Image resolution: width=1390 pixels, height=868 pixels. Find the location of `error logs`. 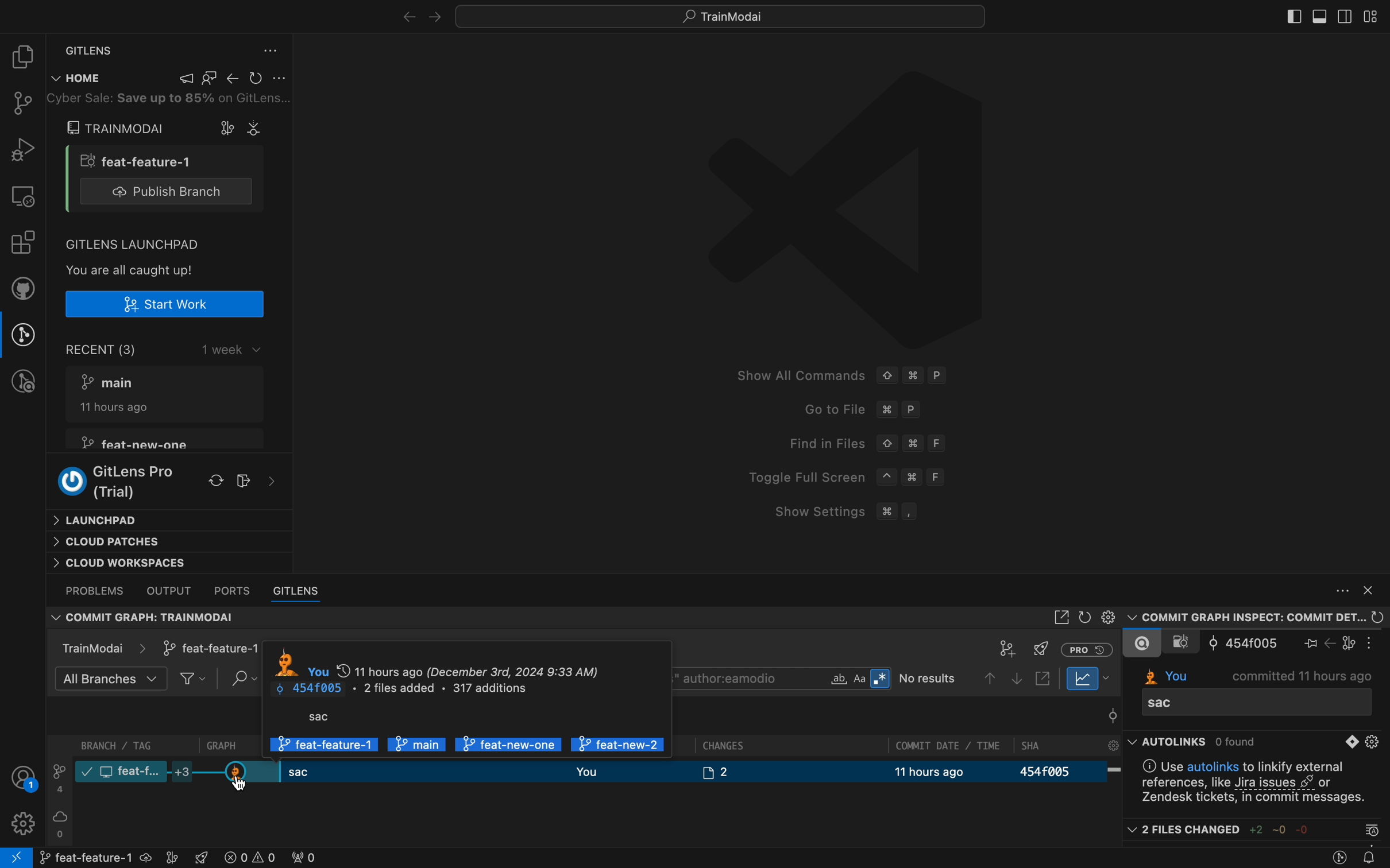

error logs is located at coordinates (269, 858).